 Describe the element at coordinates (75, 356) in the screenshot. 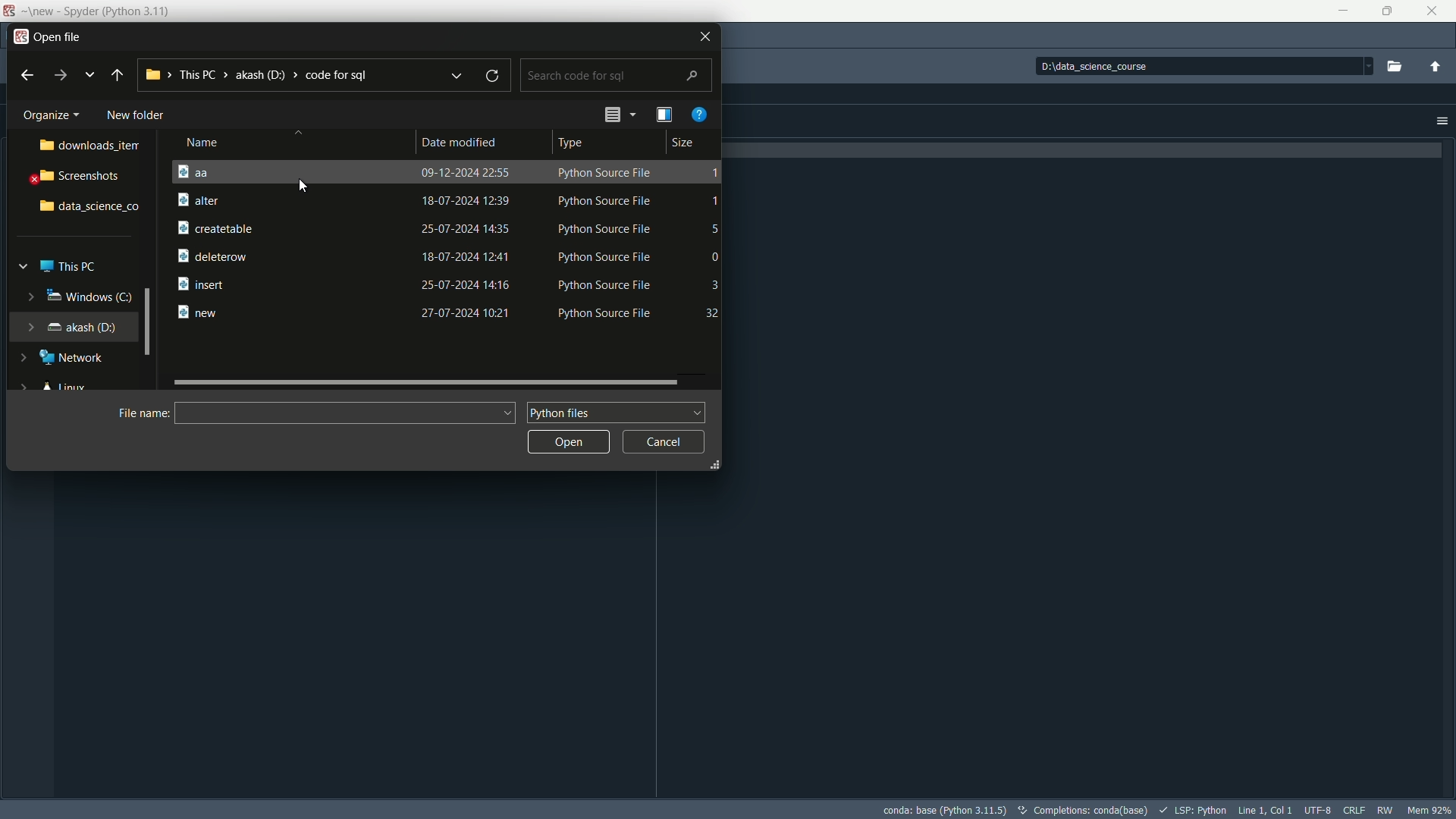

I see `network` at that location.